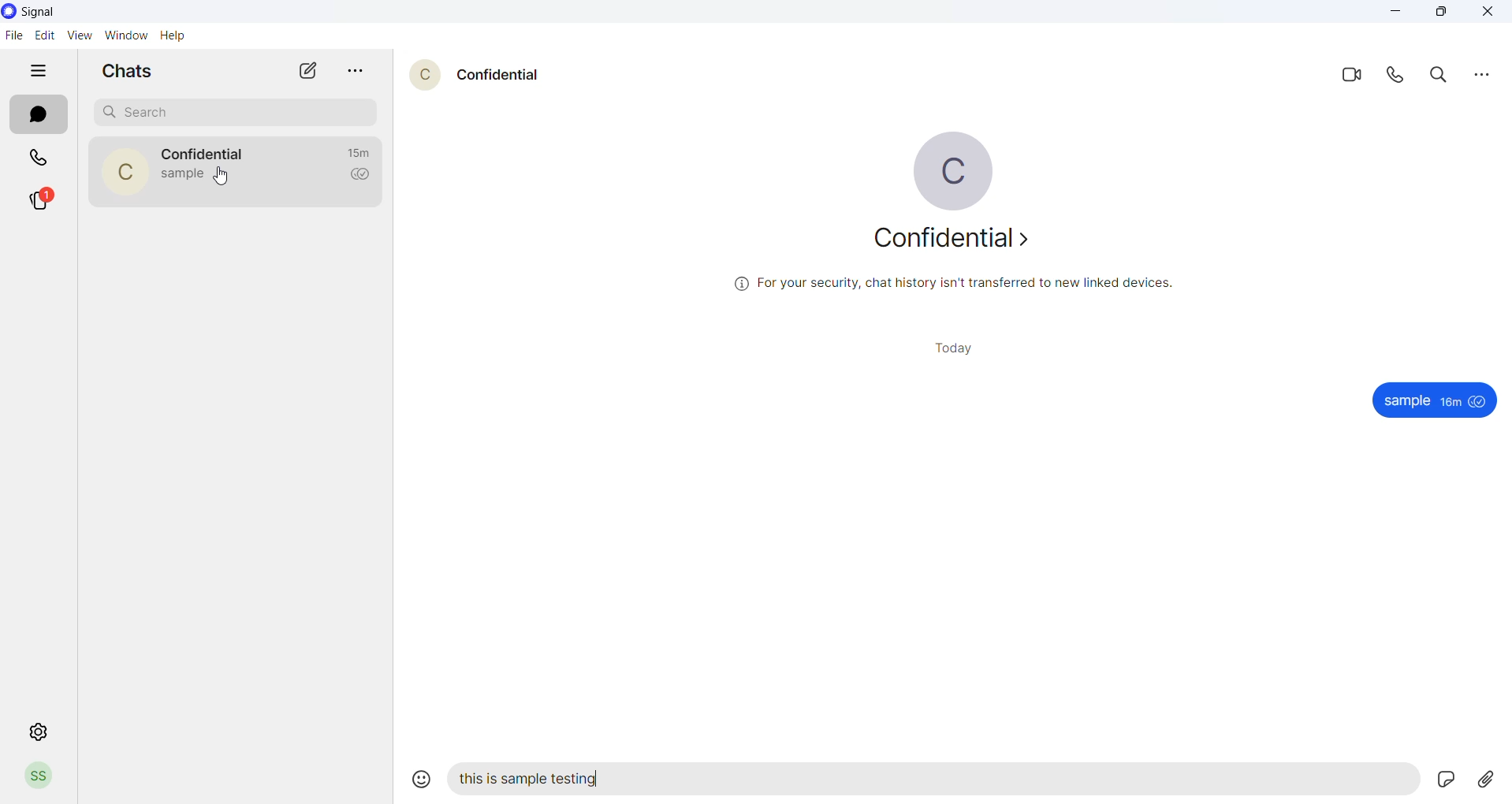 The height and width of the screenshot is (804, 1512). Describe the element at coordinates (42, 779) in the screenshot. I see `profile` at that location.